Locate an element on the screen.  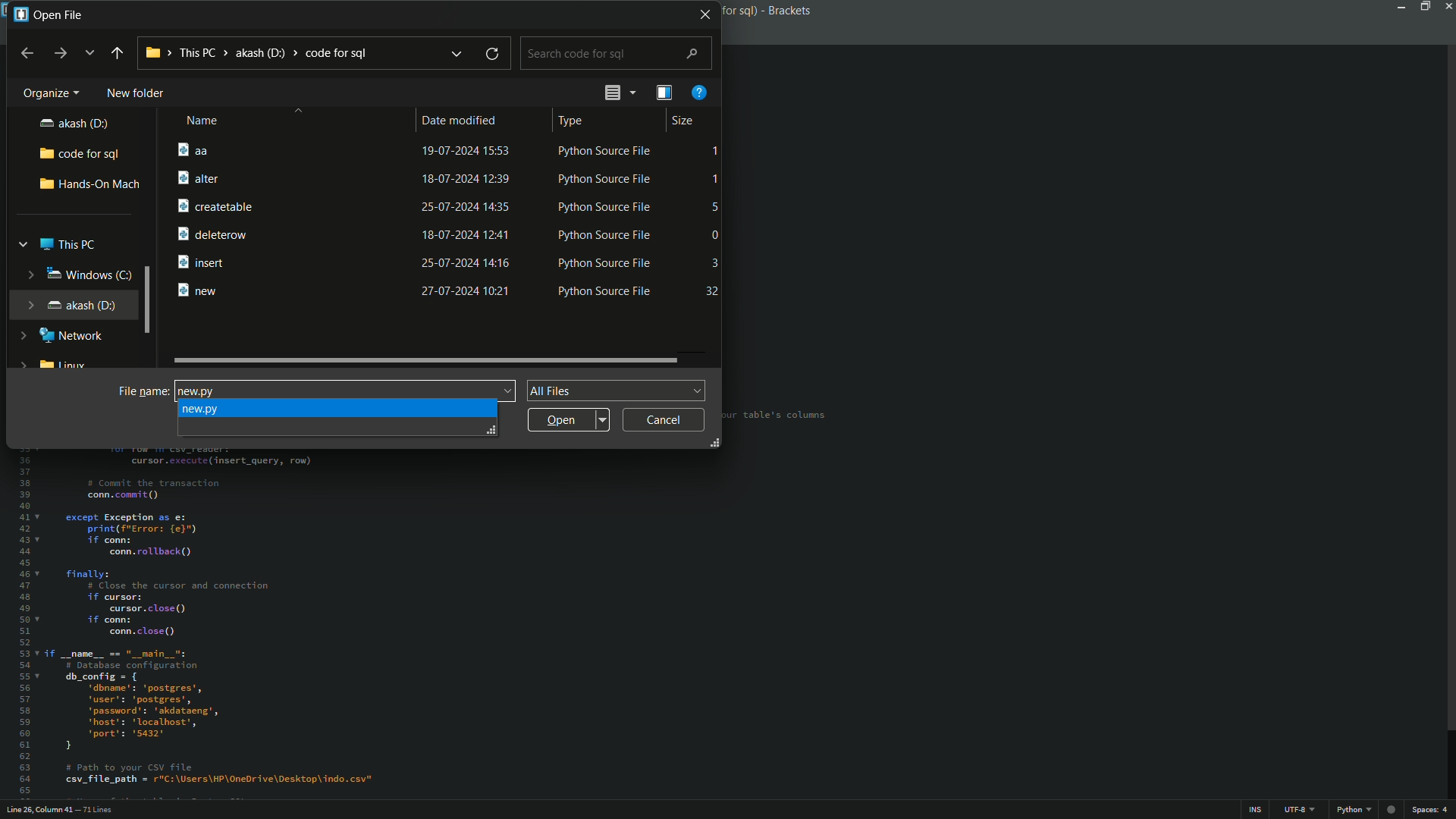
type is located at coordinates (570, 122).